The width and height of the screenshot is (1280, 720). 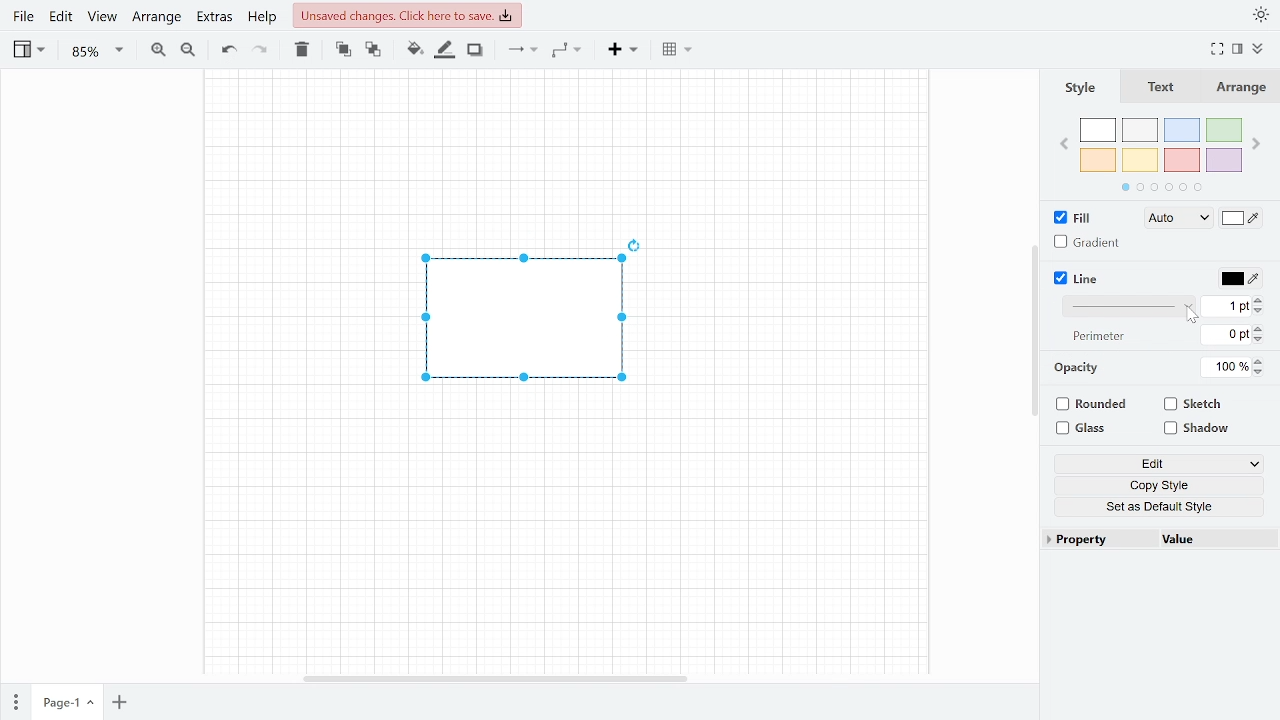 What do you see at coordinates (28, 51) in the screenshot?
I see `View` at bounding box center [28, 51].